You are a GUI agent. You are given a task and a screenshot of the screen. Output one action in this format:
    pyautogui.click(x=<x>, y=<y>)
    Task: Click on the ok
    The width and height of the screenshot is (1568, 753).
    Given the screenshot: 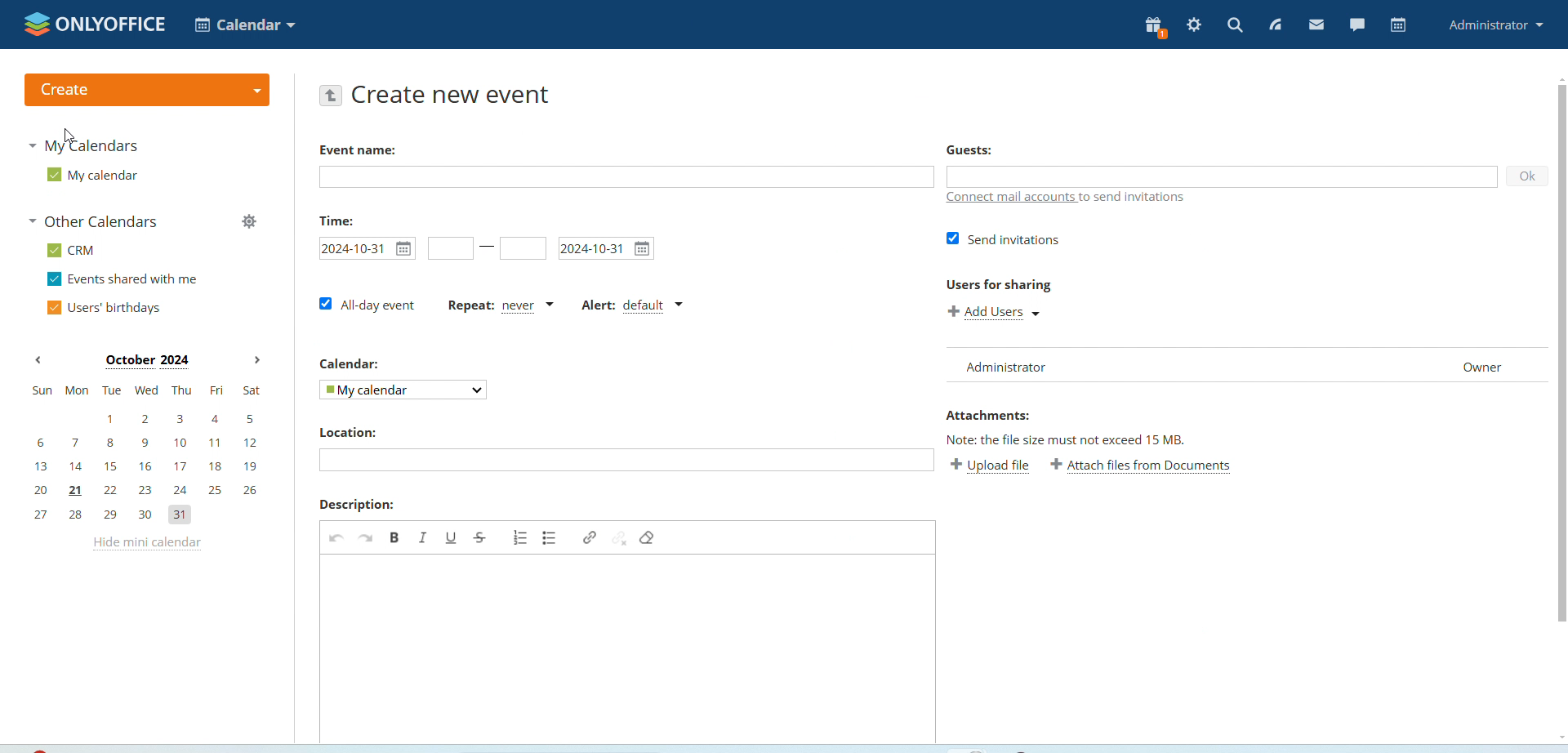 What is the action you would take?
    pyautogui.click(x=1526, y=176)
    